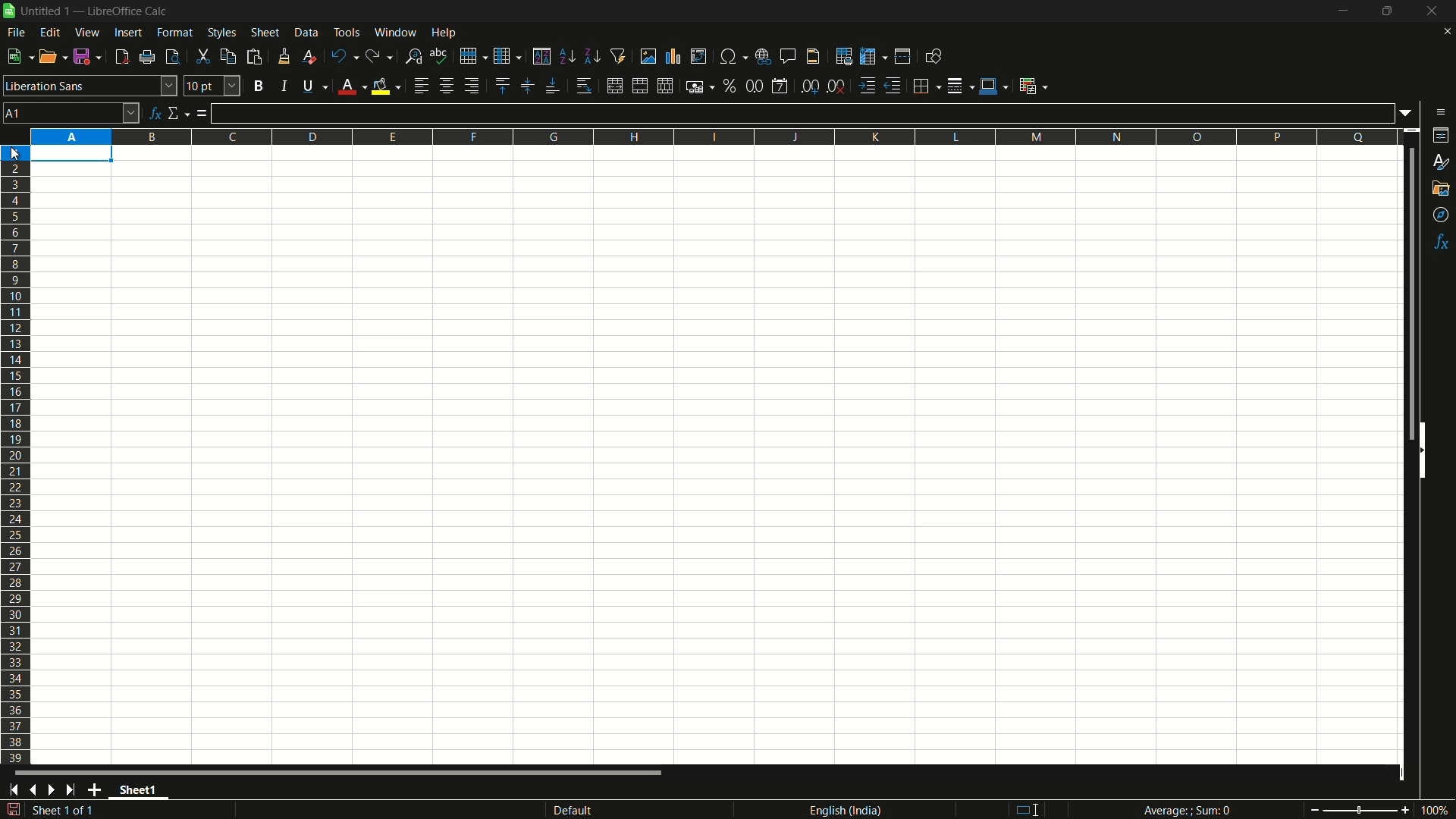 Image resolution: width=1456 pixels, height=819 pixels. What do you see at coordinates (92, 10) in the screenshot?
I see `| Untitled 1 — LibreOffice Calc` at bounding box center [92, 10].